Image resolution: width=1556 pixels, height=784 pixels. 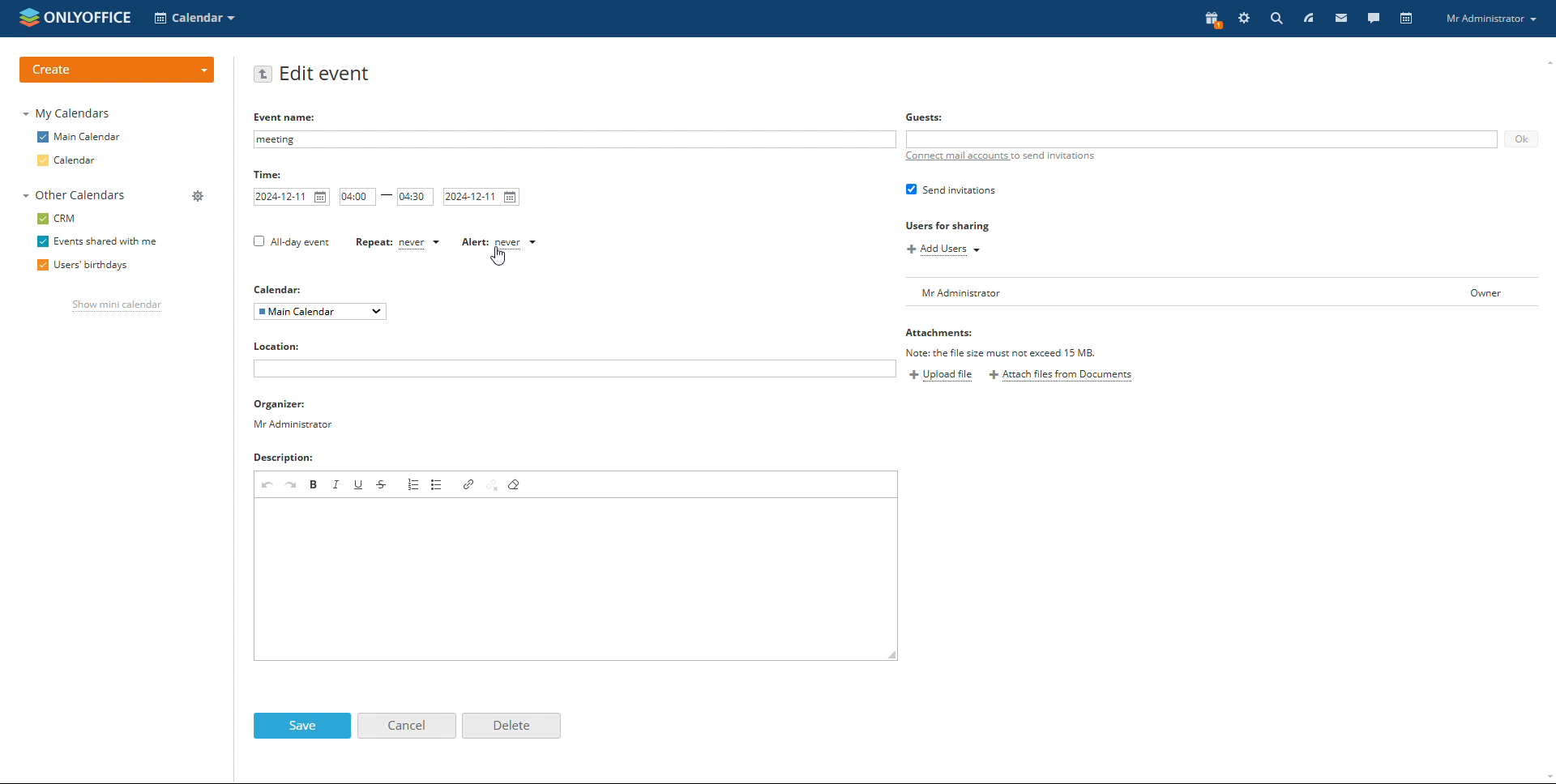 What do you see at coordinates (492, 485) in the screenshot?
I see `unlink` at bounding box center [492, 485].